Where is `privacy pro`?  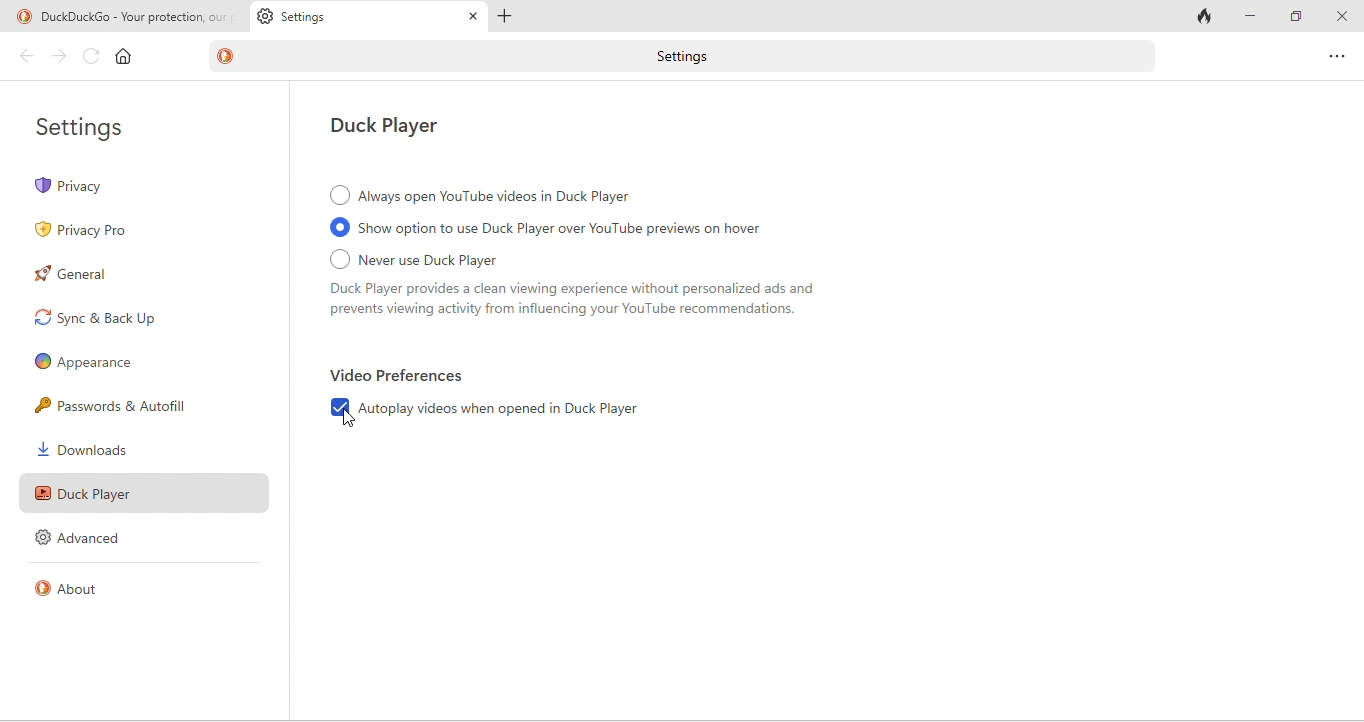 privacy pro is located at coordinates (95, 232).